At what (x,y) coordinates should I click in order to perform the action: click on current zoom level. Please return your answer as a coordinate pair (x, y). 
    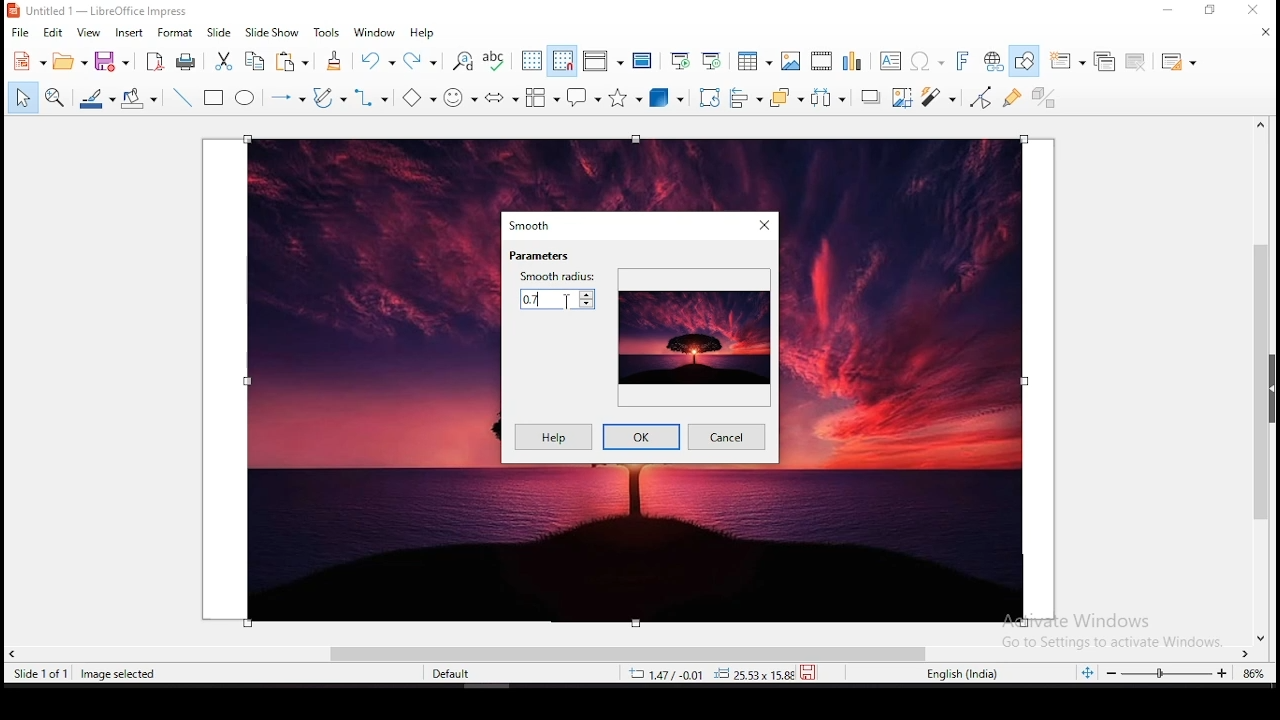
    Looking at the image, I should click on (1251, 676).